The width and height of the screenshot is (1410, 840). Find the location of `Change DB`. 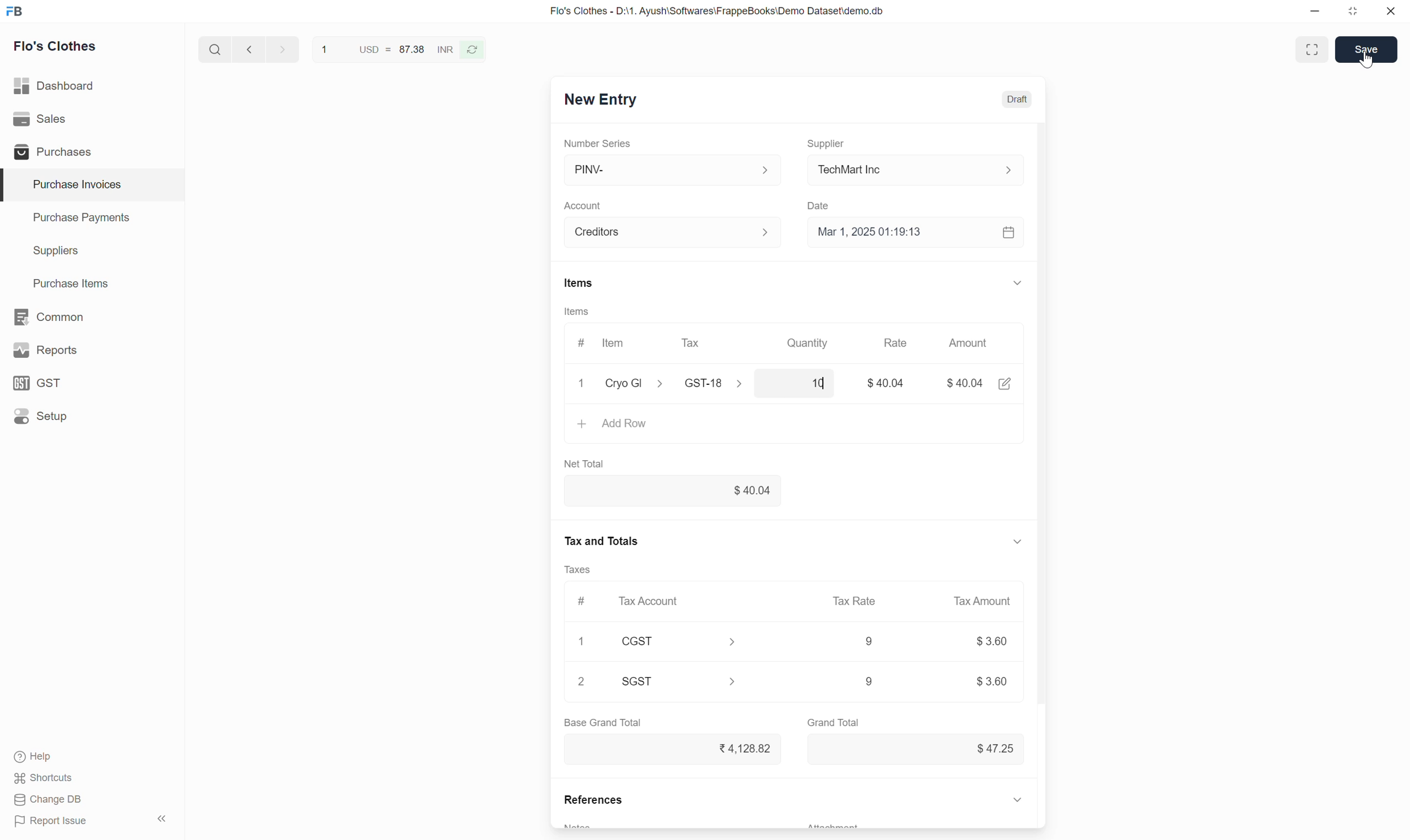

Change DB is located at coordinates (48, 800).